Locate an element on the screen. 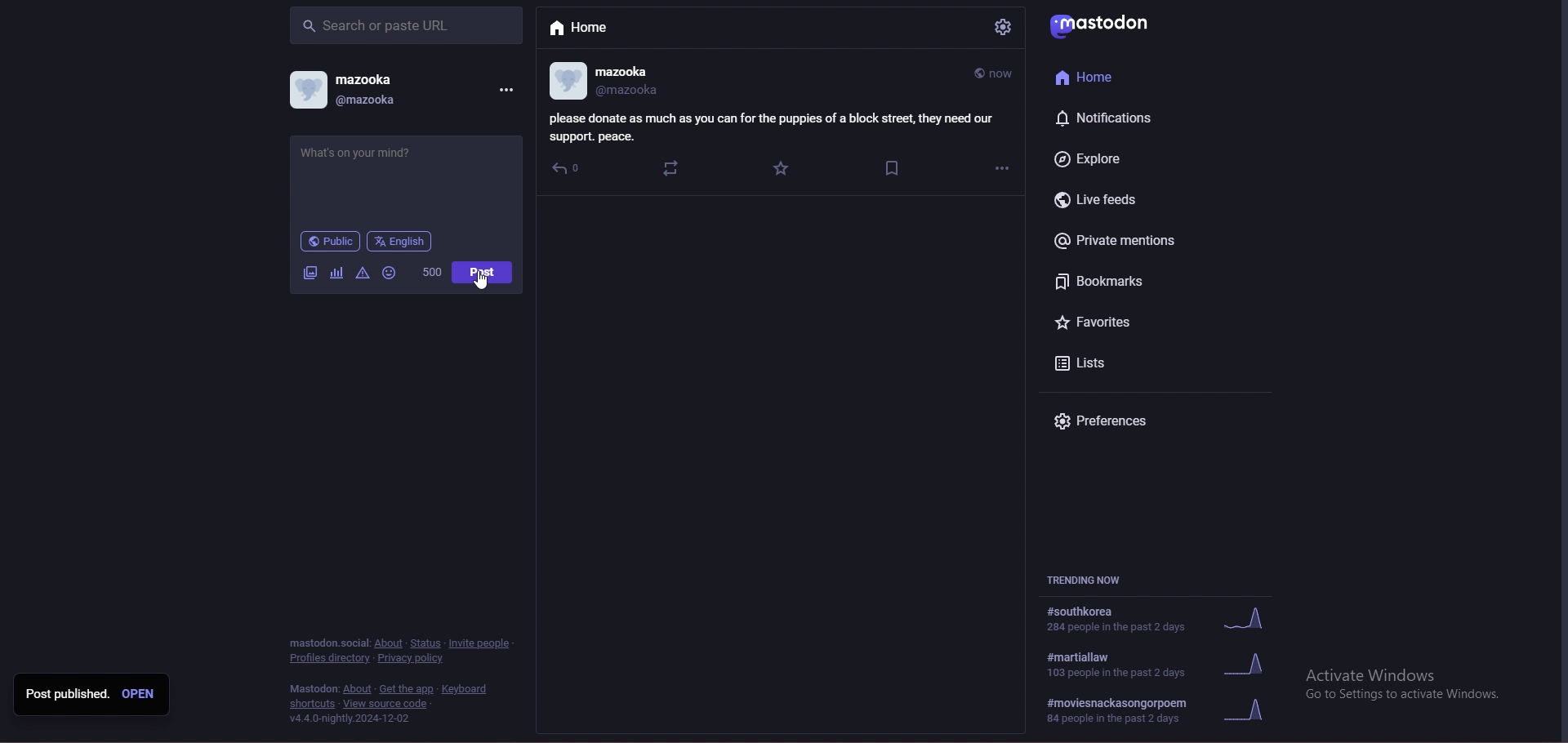 The width and height of the screenshot is (1568, 743). @mazooka is located at coordinates (381, 102).